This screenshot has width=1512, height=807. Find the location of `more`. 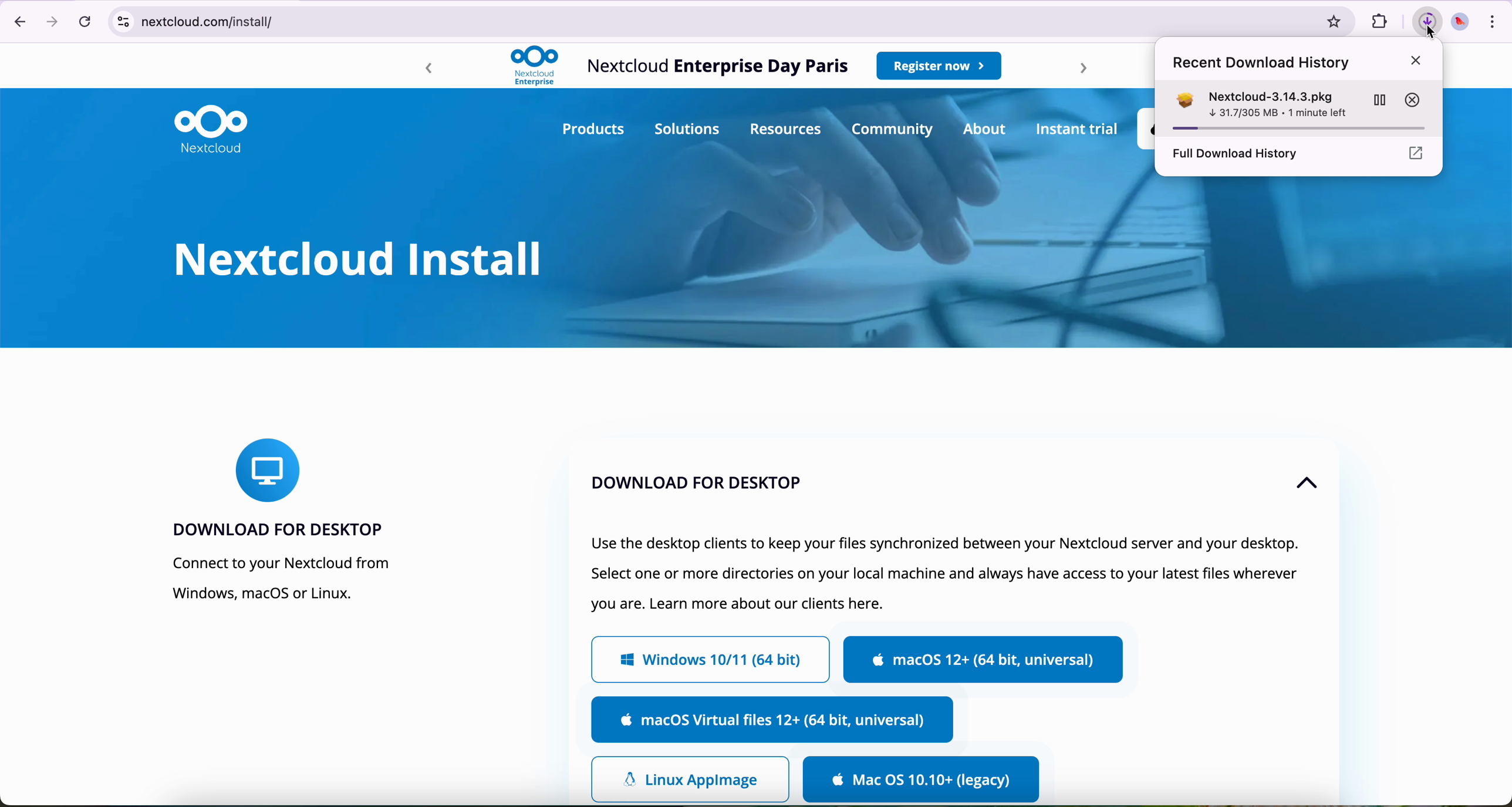

more is located at coordinates (1493, 19).